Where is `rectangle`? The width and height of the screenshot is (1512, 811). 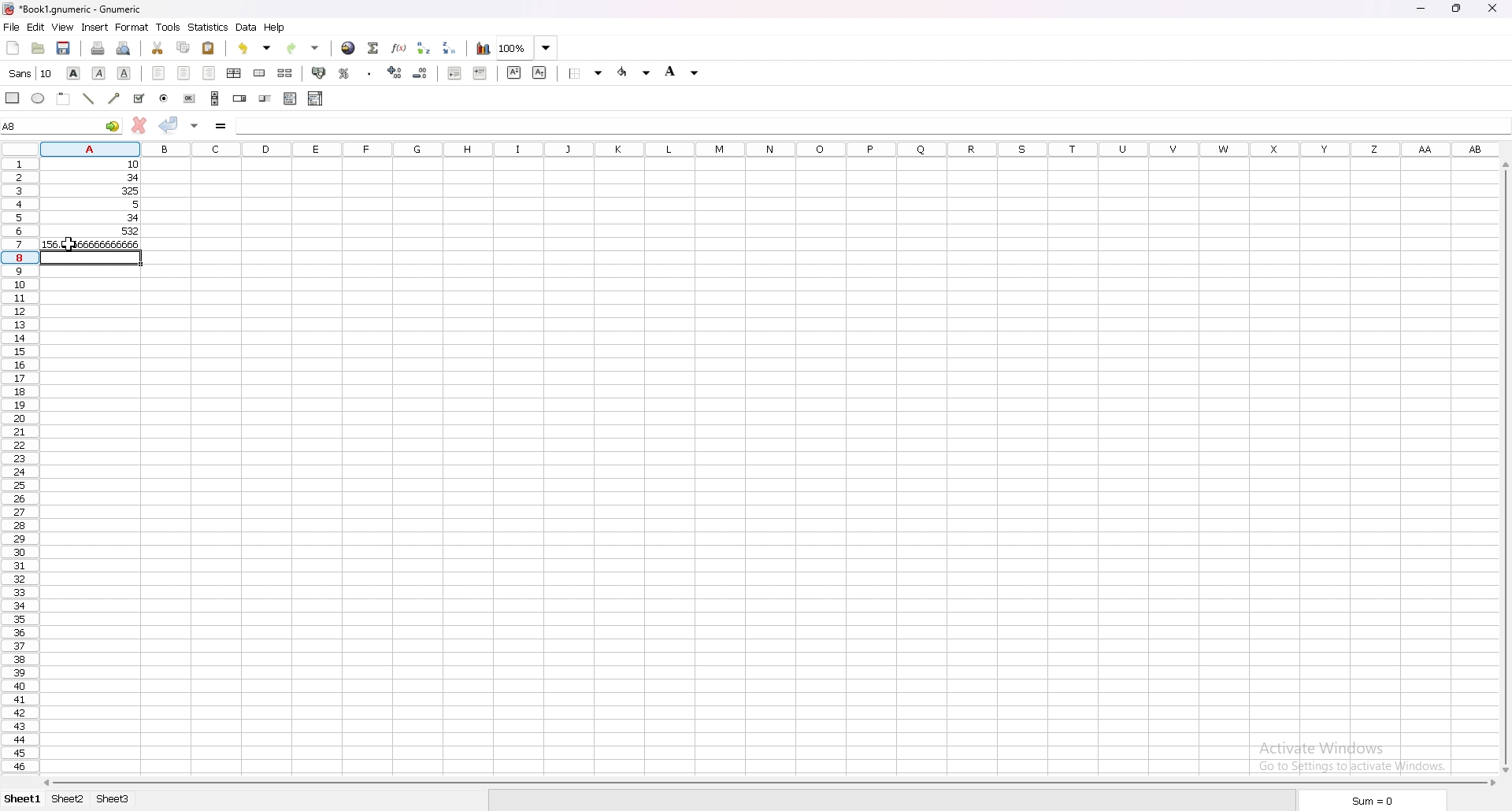
rectangle is located at coordinates (13, 97).